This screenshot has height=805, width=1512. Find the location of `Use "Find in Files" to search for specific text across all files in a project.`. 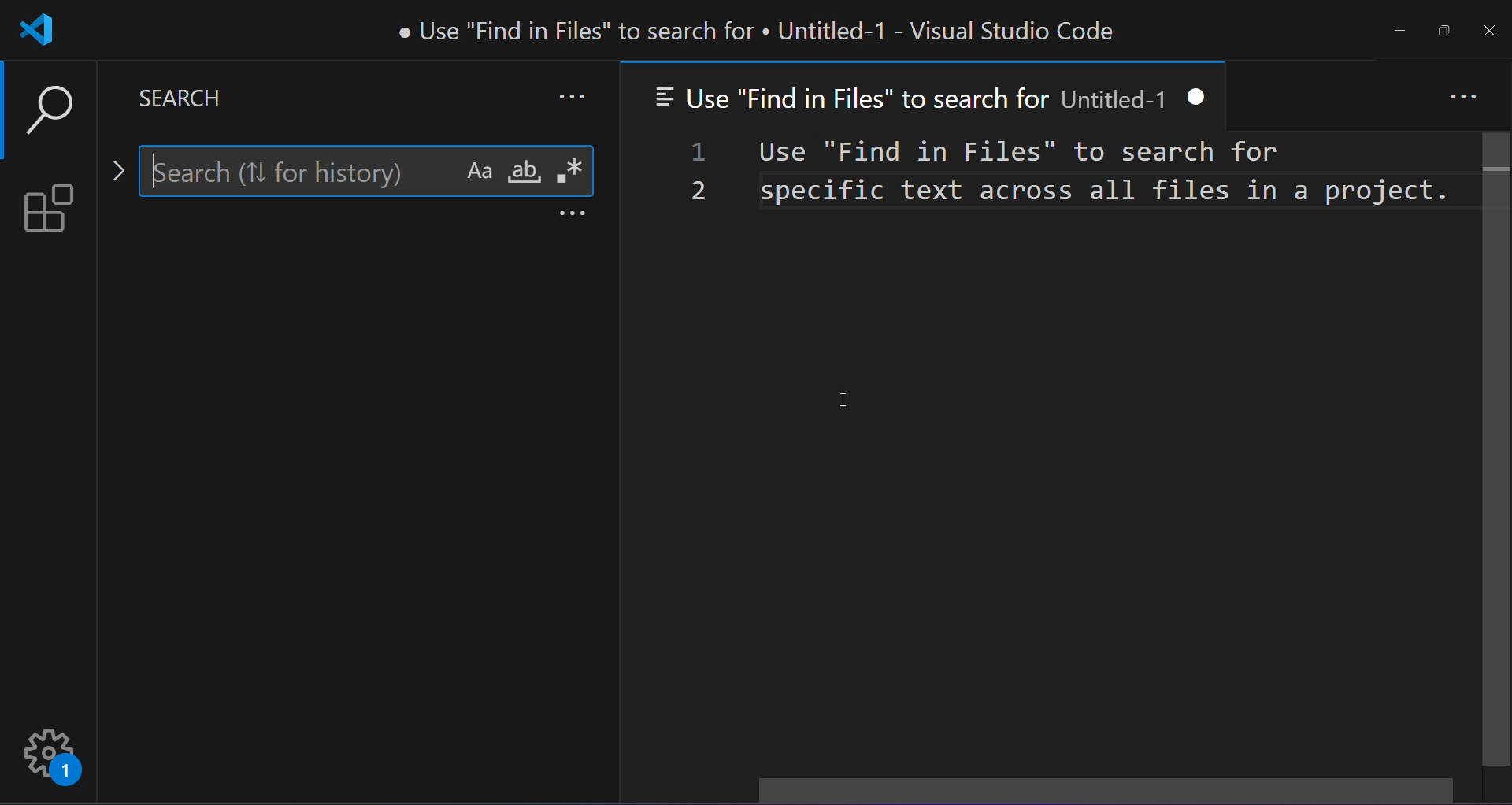

Use "Find in Files" to search for specific text across all files in a project. is located at coordinates (1091, 173).